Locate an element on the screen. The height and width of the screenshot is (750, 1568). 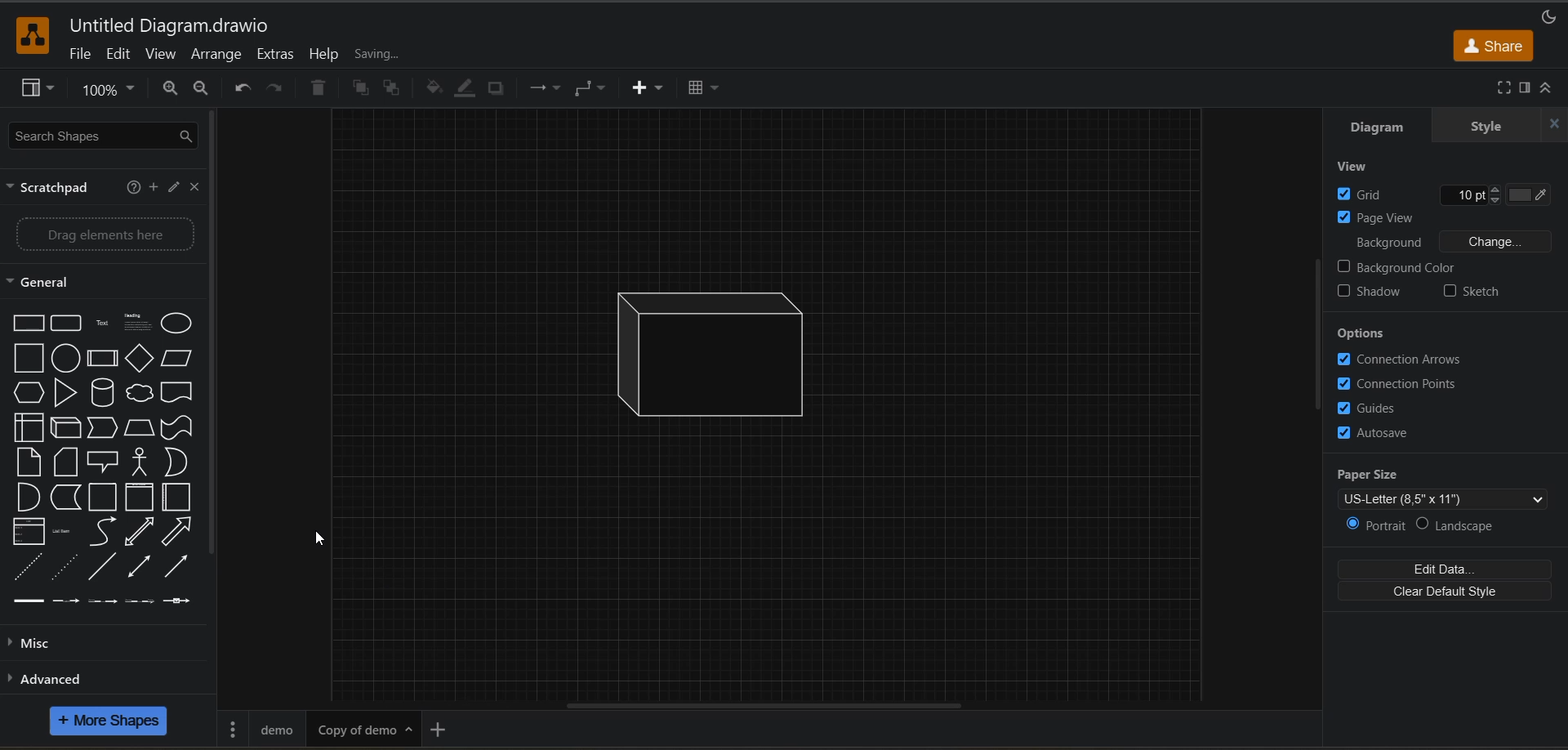
connections is located at coordinates (546, 86).